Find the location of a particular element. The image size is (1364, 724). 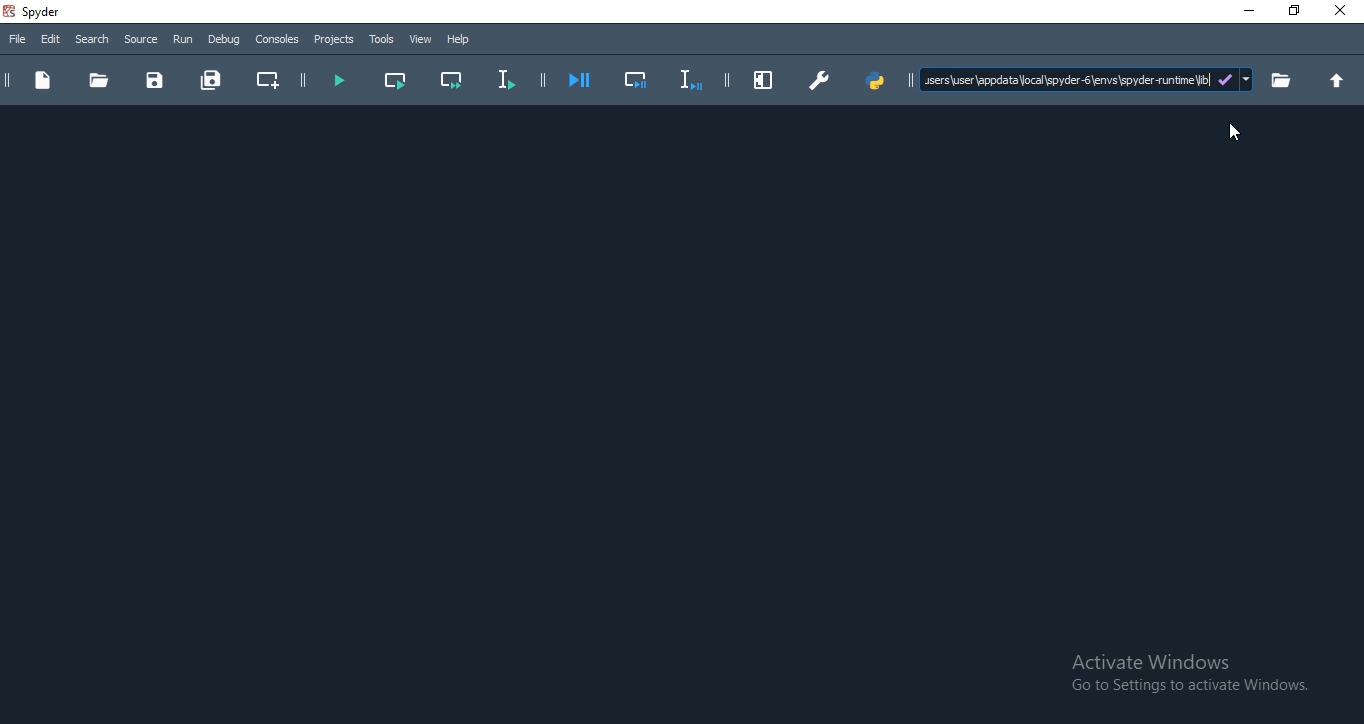

run current cell and go to next line is located at coordinates (454, 81).